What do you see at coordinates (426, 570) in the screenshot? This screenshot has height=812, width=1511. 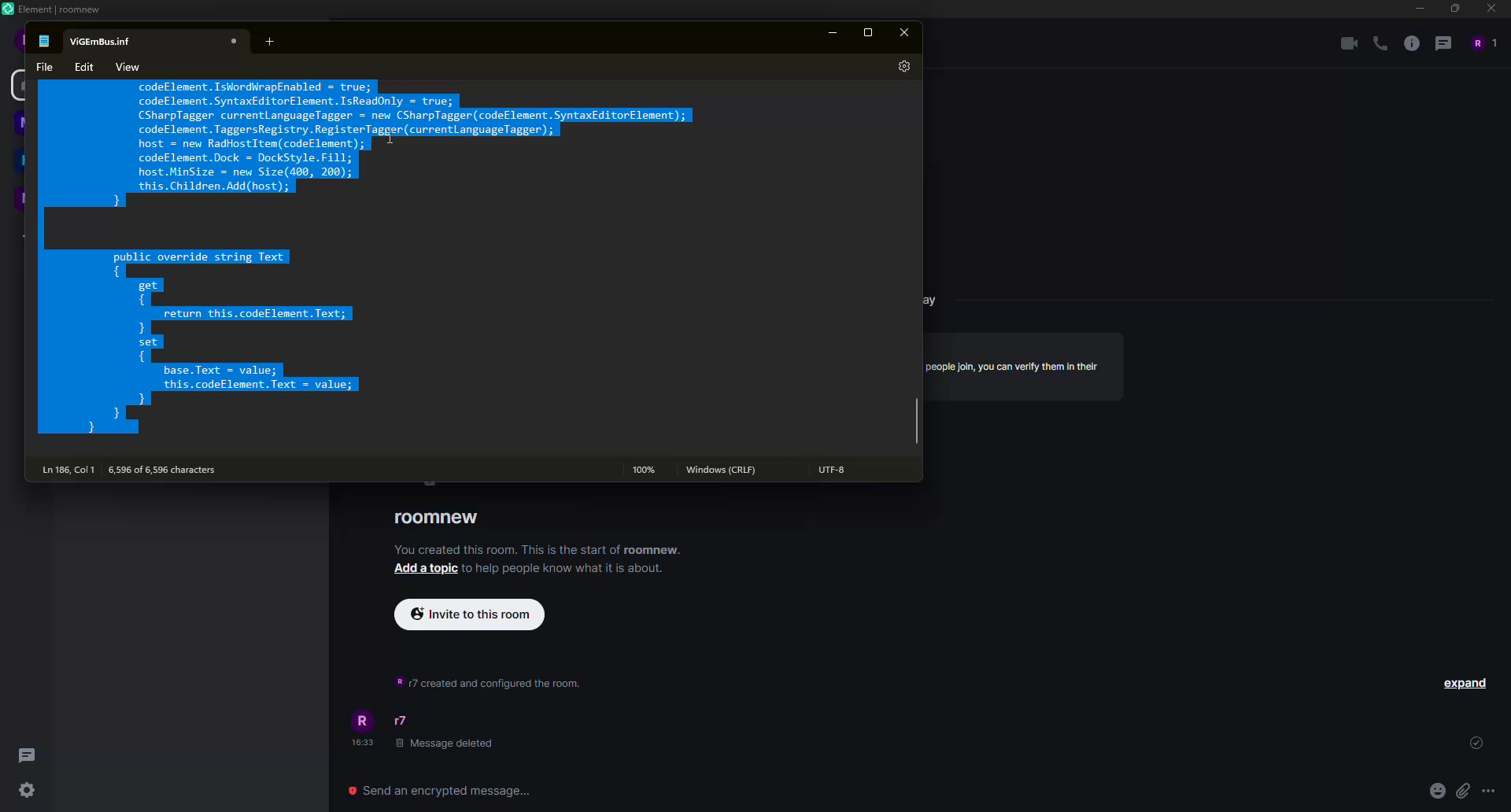 I see `add a topic` at bounding box center [426, 570].